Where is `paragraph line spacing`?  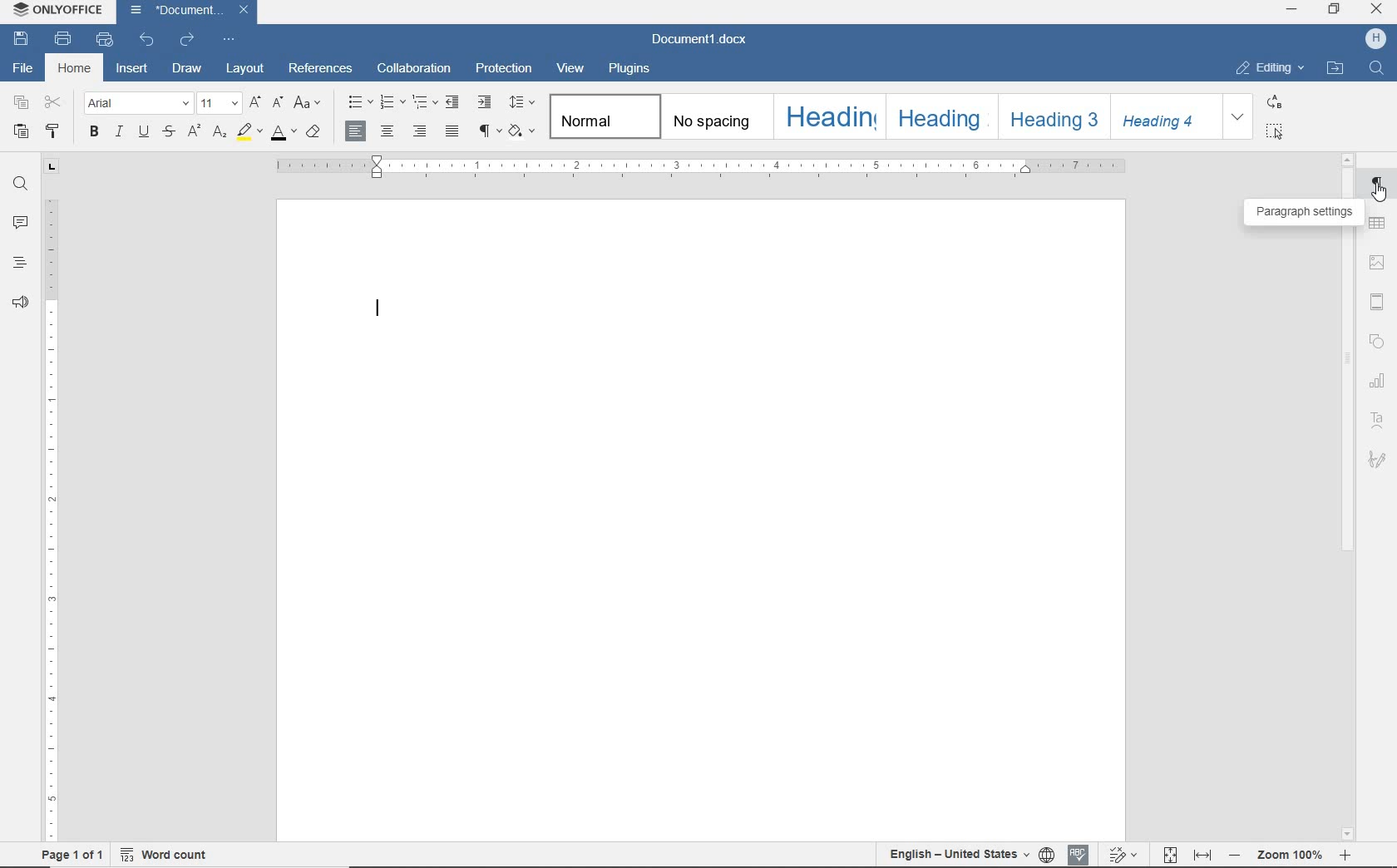 paragraph line spacing is located at coordinates (524, 103).